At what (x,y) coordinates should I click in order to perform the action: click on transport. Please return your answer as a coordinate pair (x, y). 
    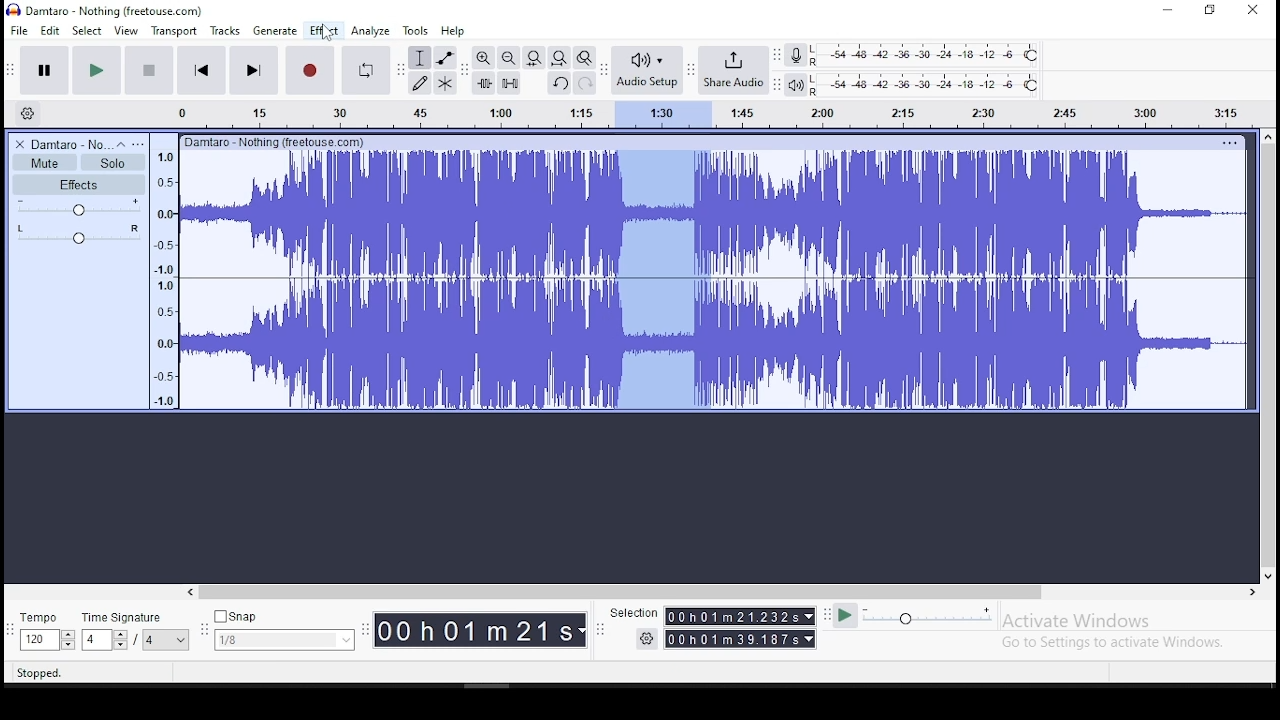
    Looking at the image, I should click on (174, 31).